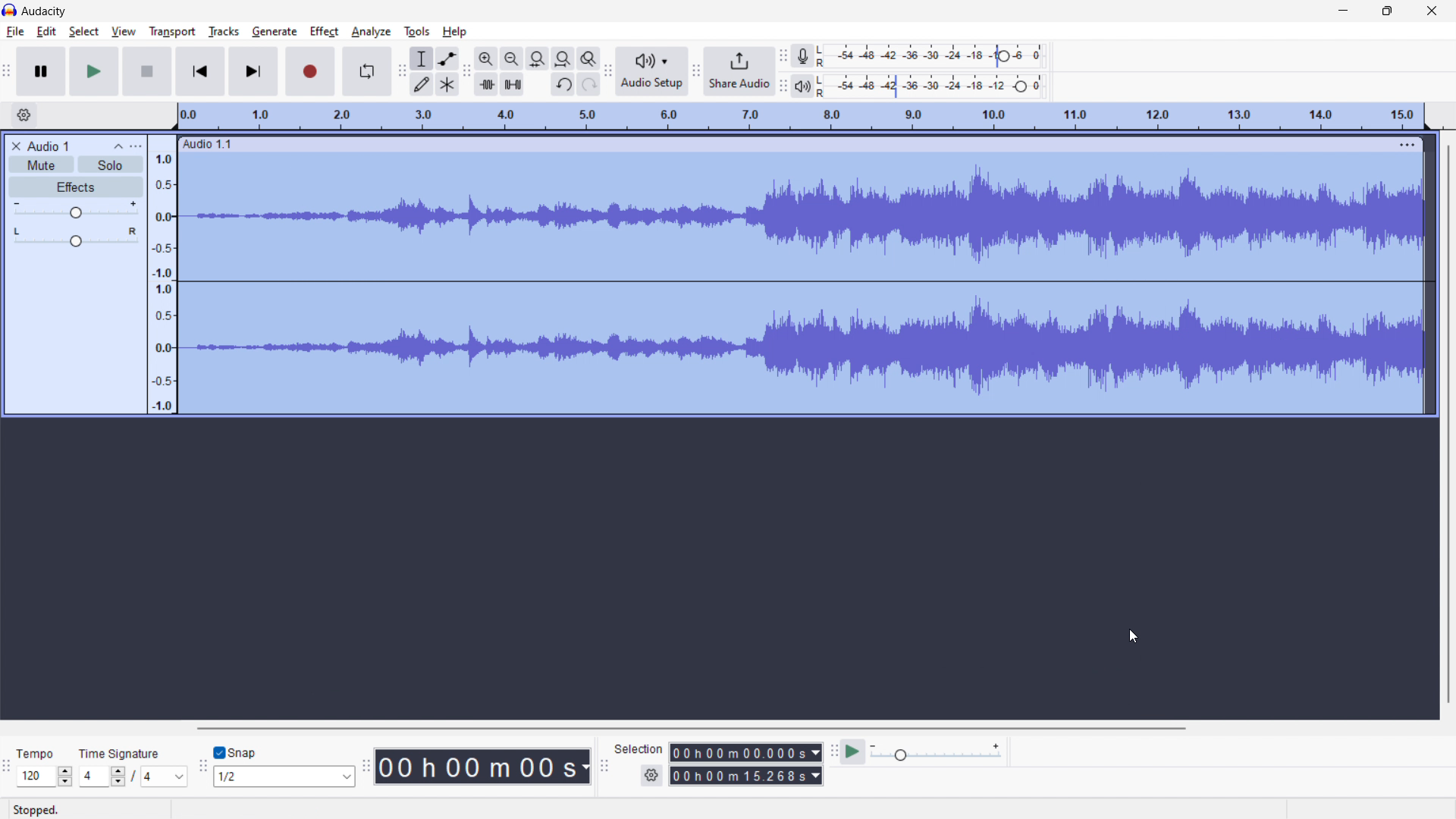  What do you see at coordinates (854, 752) in the screenshot?
I see `play at speed` at bounding box center [854, 752].